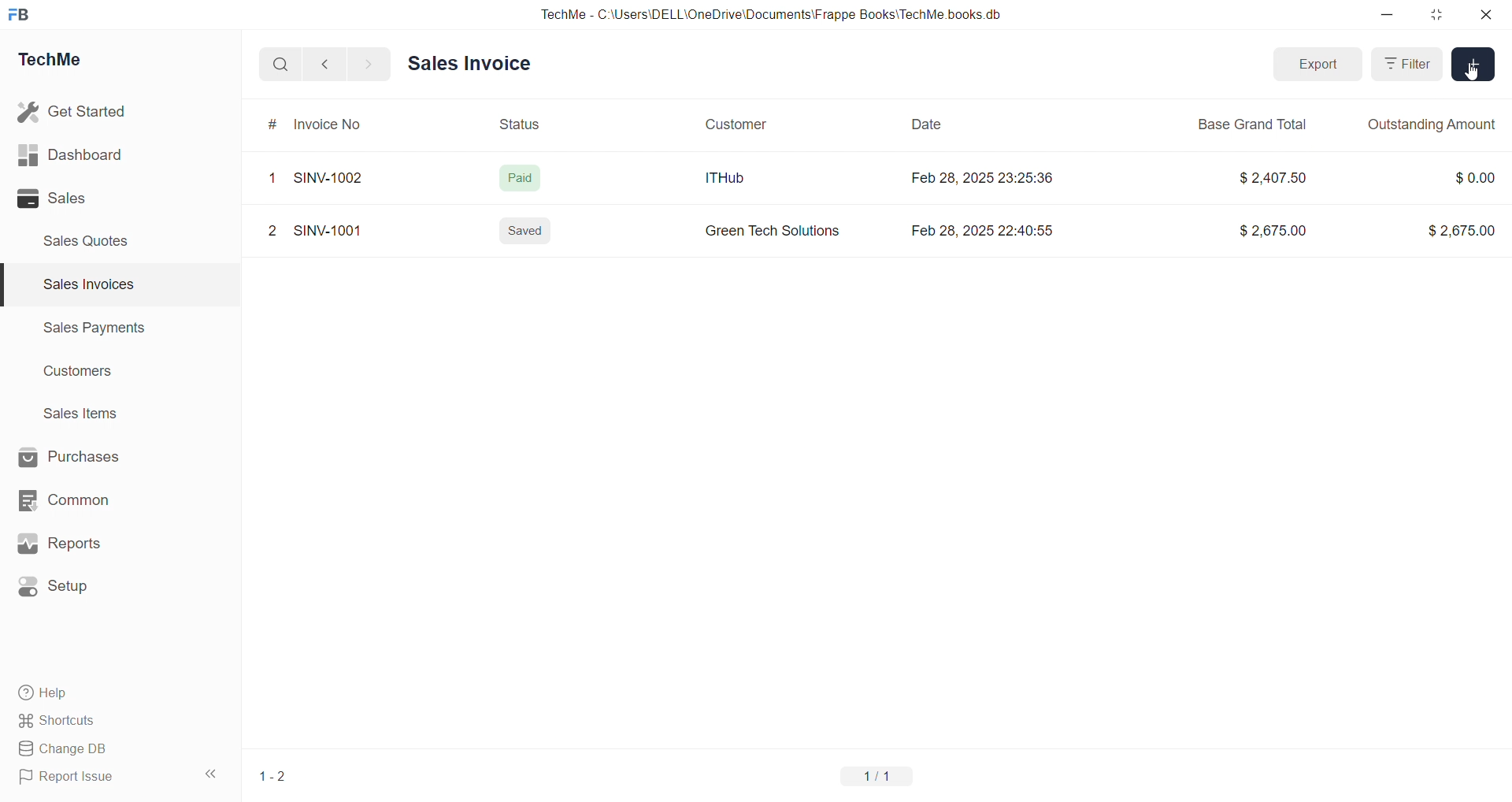 This screenshot has width=1512, height=802. Describe the element at coordinates (83, 455) in the screenshot. I see `Purchases` at that location.